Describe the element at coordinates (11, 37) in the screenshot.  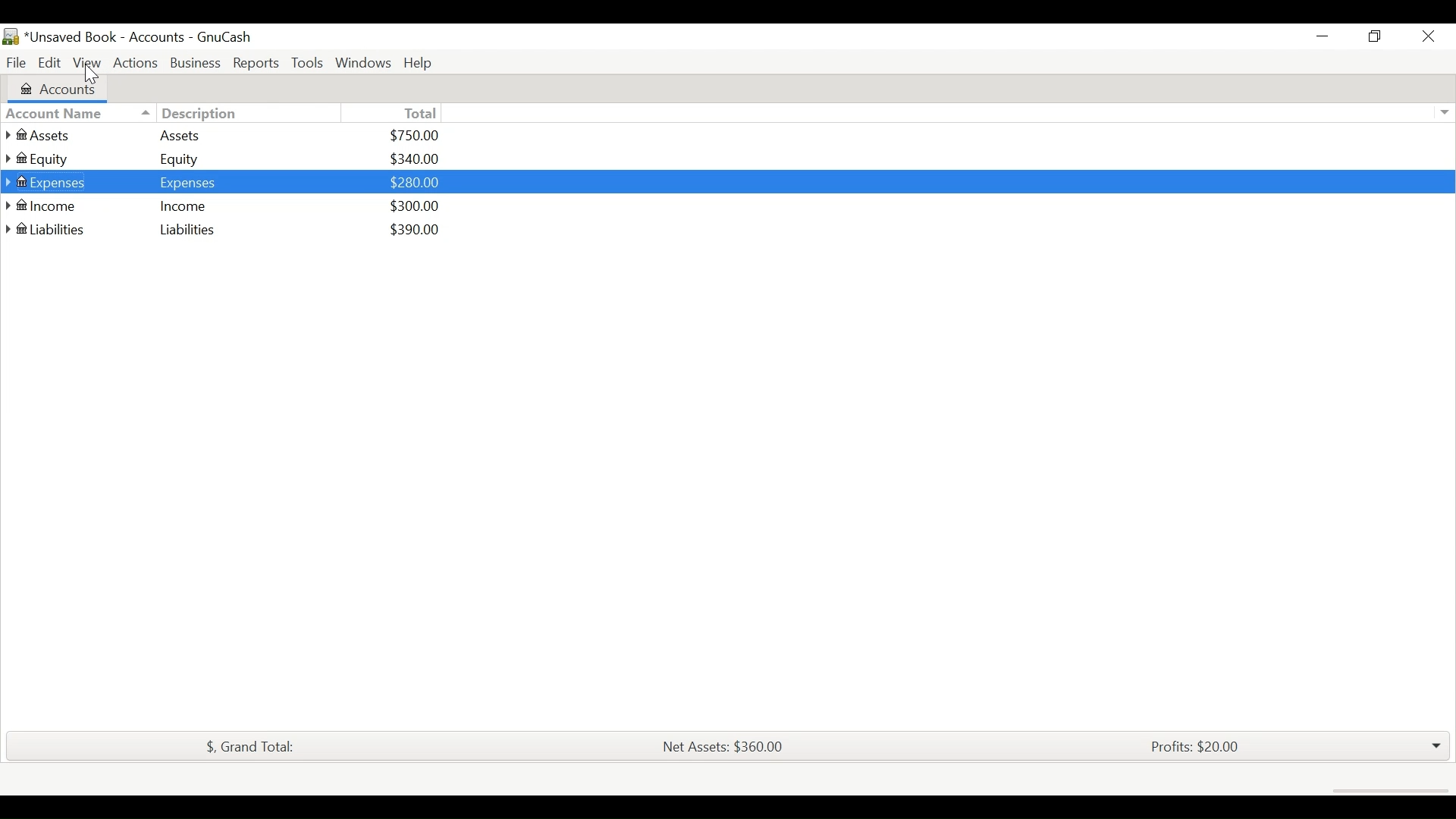
I see `GnuCash Desktop icon` at that location.